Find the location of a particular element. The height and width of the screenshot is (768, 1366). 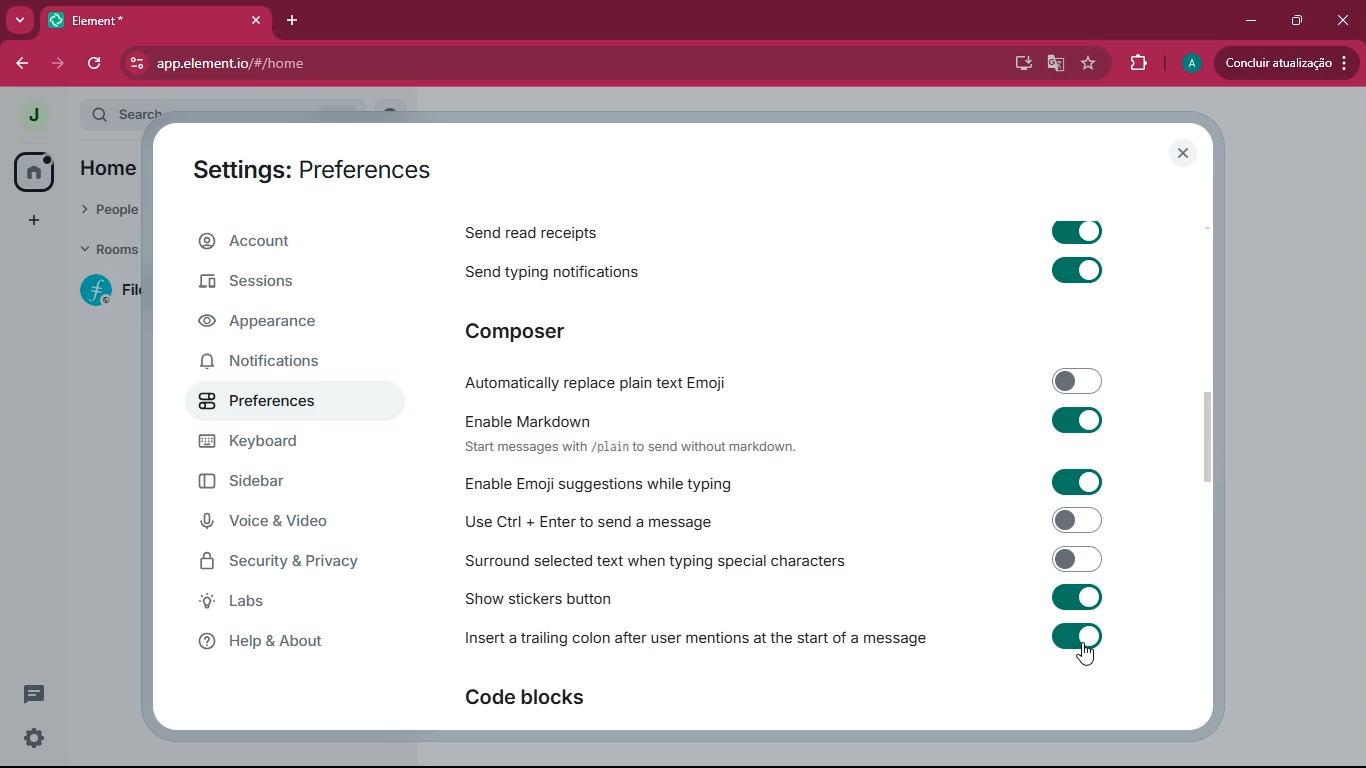

code blocks is located at coordinates (534, 697).